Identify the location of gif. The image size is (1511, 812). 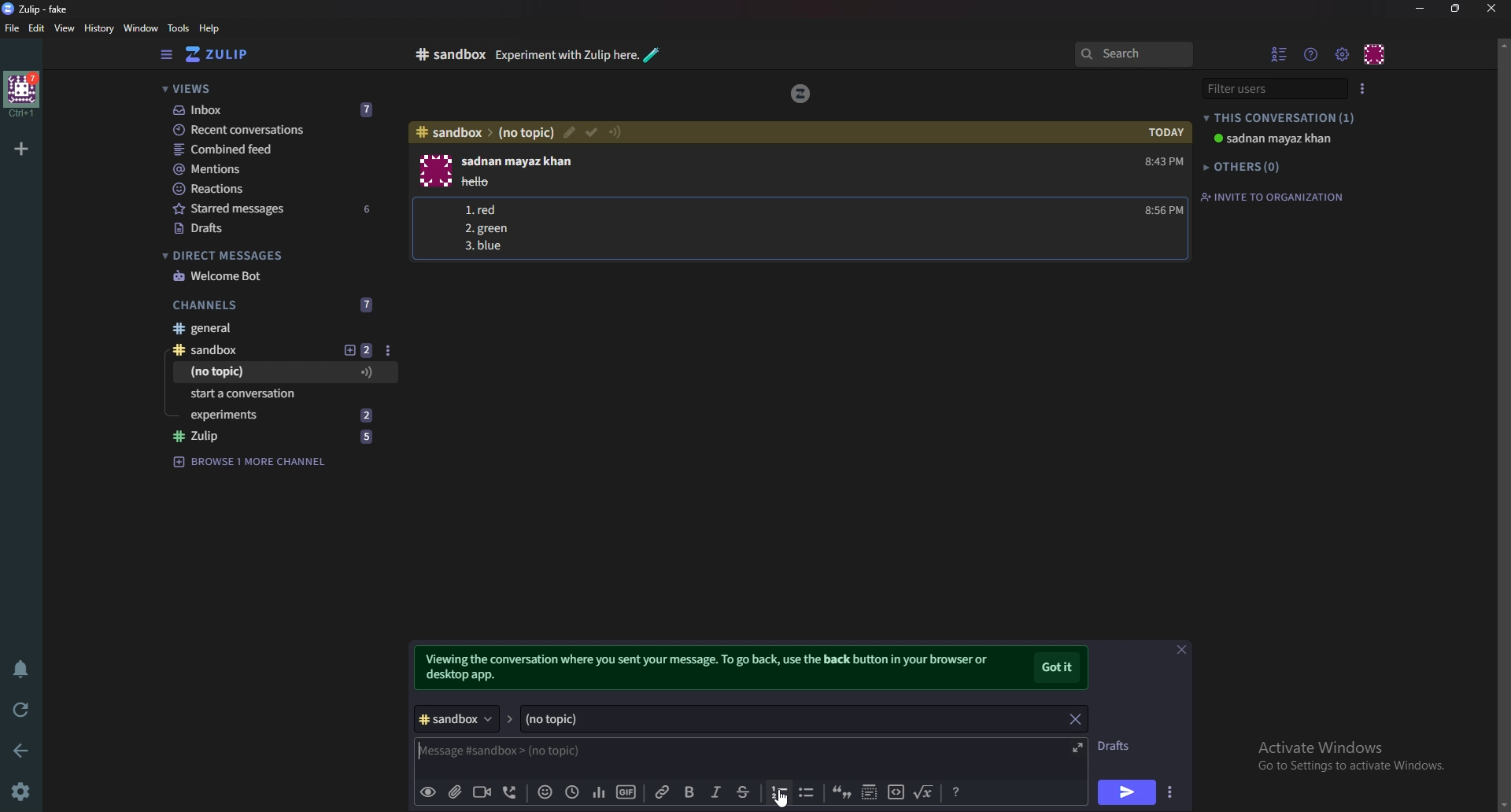
(625, 790).